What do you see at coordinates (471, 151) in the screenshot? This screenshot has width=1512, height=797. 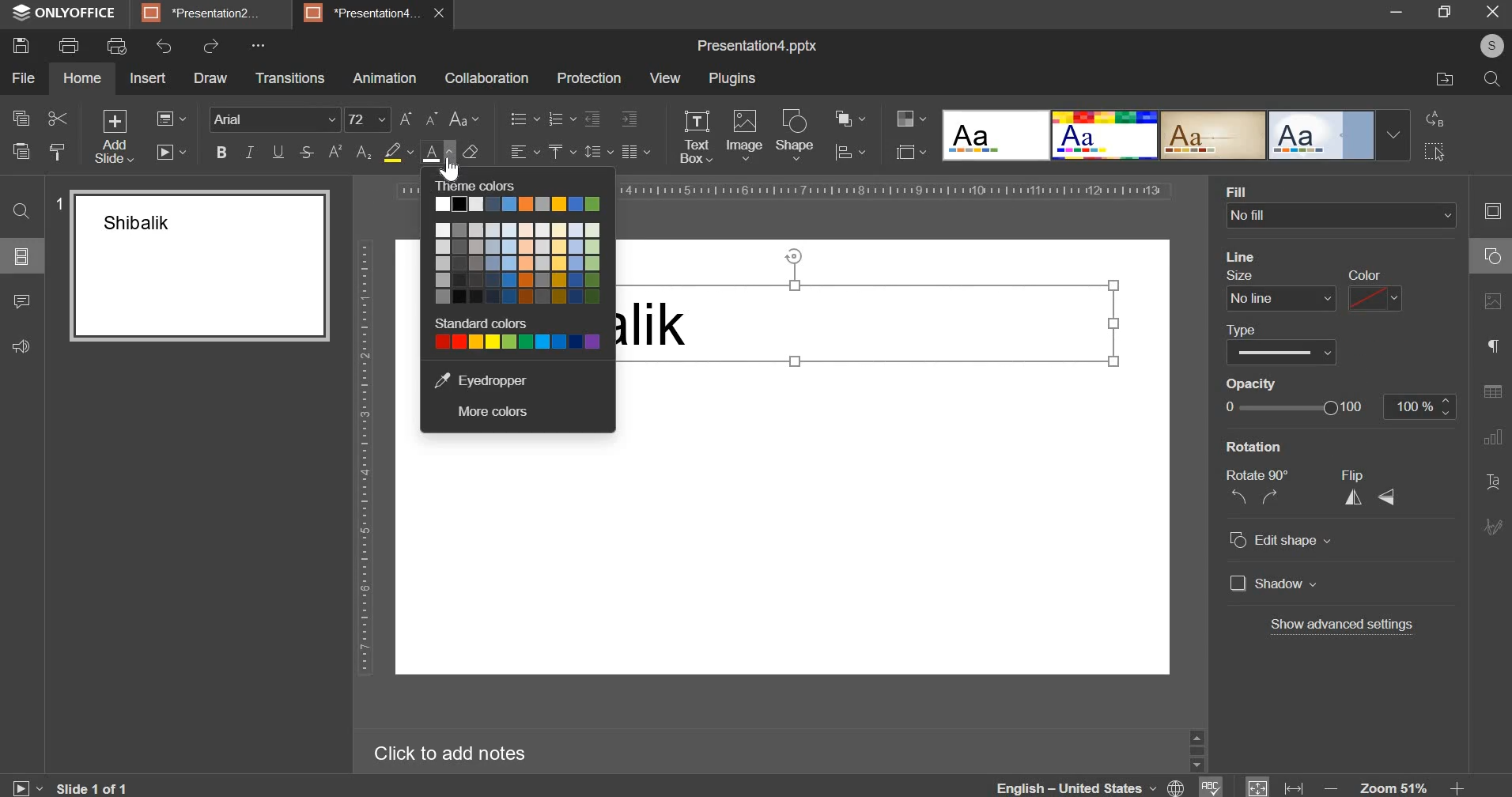 I see `clear style` at bounding box center [471, 151].